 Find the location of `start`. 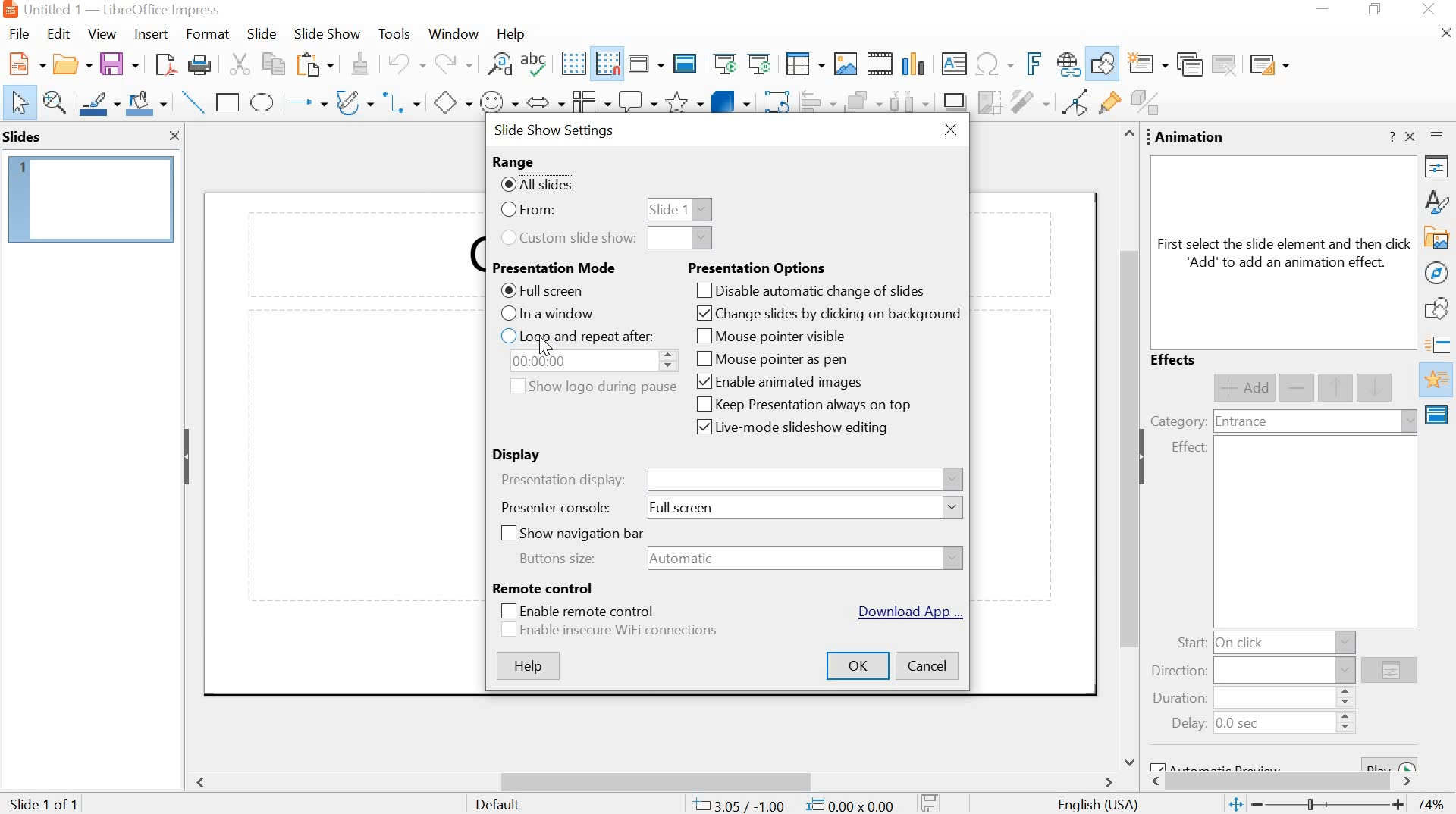

start is located at coordinates (1191, 643).